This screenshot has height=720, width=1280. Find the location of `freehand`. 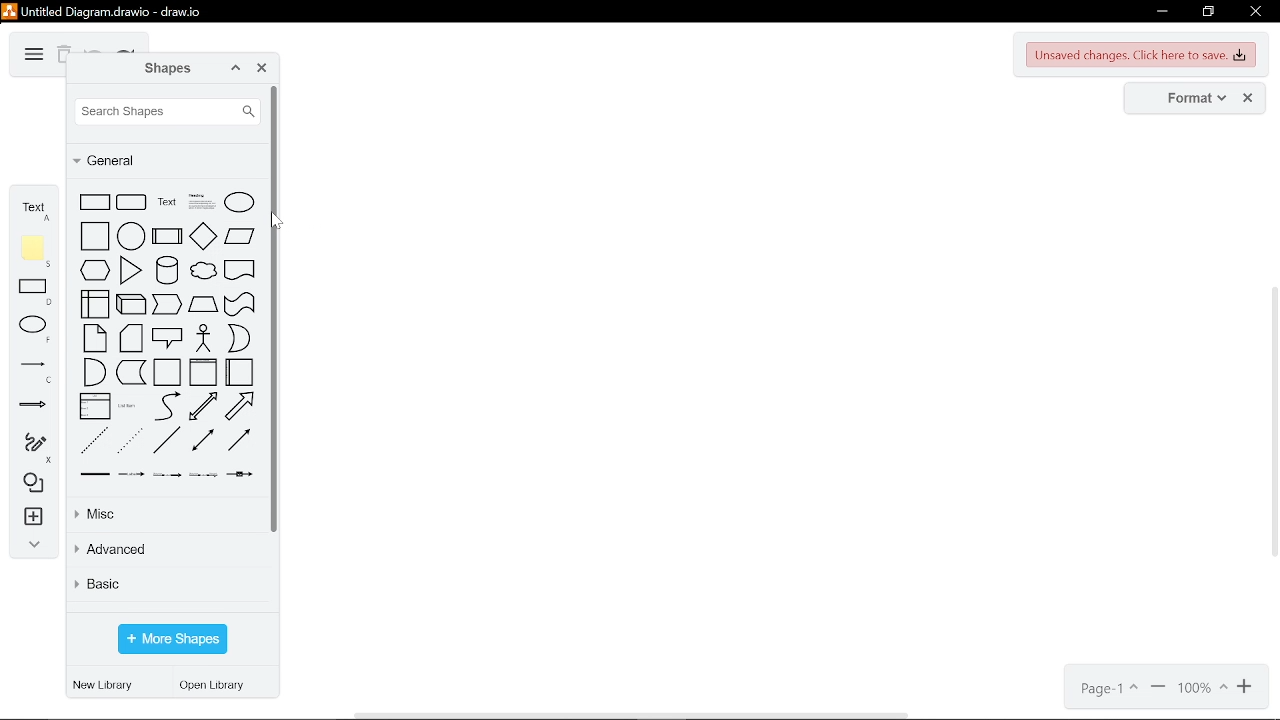

freehand is located at coordinates (30, 448).